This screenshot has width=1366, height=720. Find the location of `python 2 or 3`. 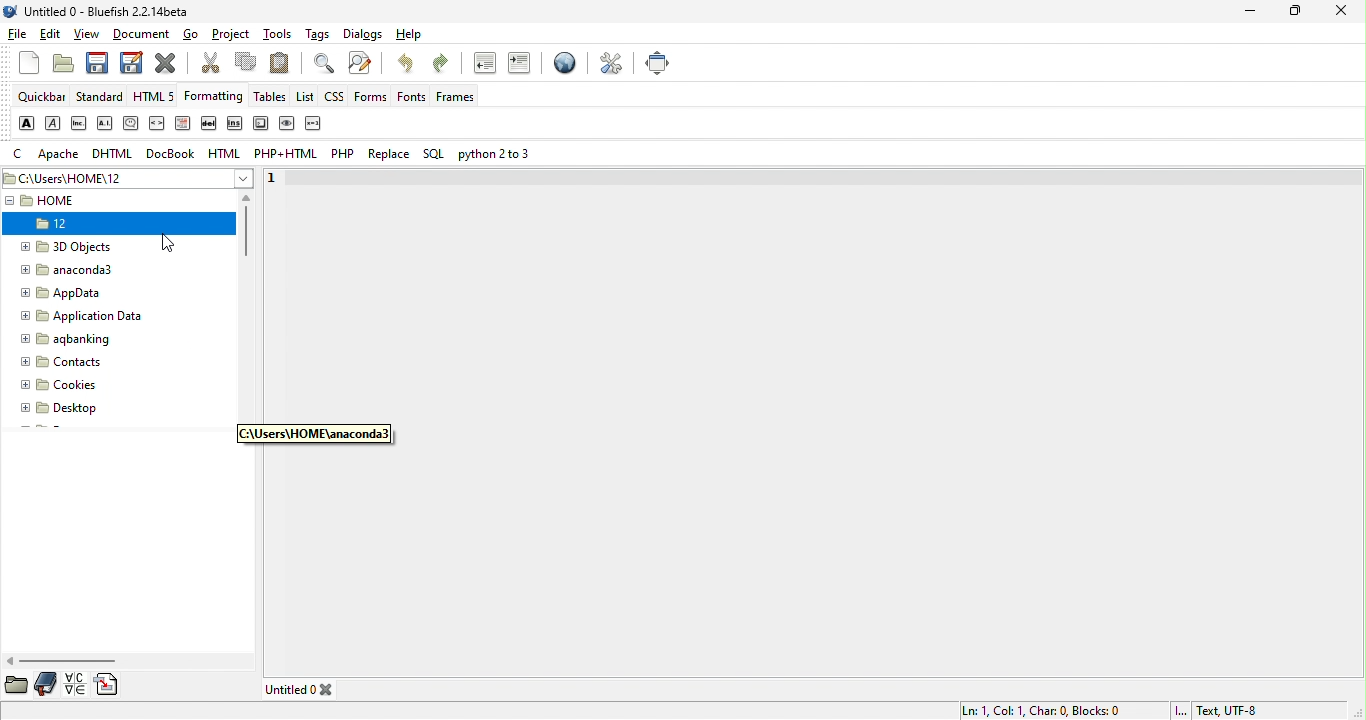

python 2 or 3 is located at coordinates (497, 155).